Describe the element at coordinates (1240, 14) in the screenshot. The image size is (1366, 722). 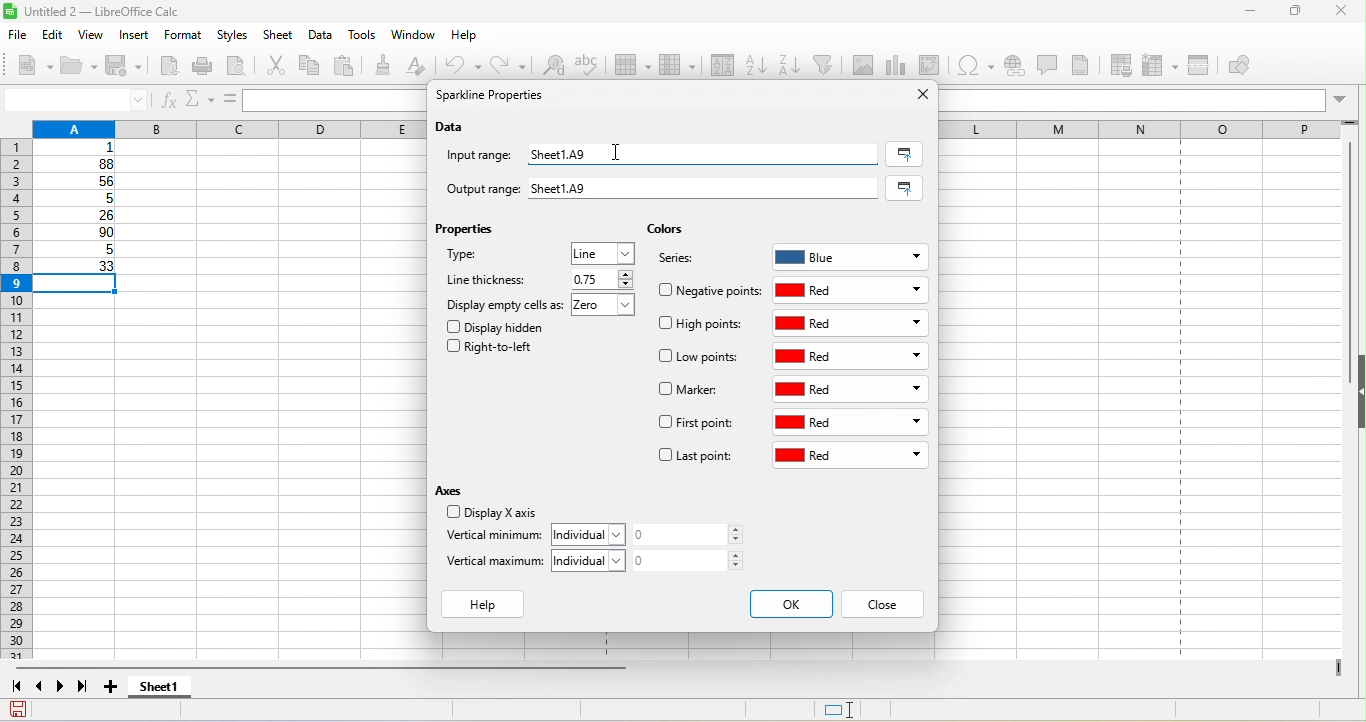
I see `minimize` at that location.